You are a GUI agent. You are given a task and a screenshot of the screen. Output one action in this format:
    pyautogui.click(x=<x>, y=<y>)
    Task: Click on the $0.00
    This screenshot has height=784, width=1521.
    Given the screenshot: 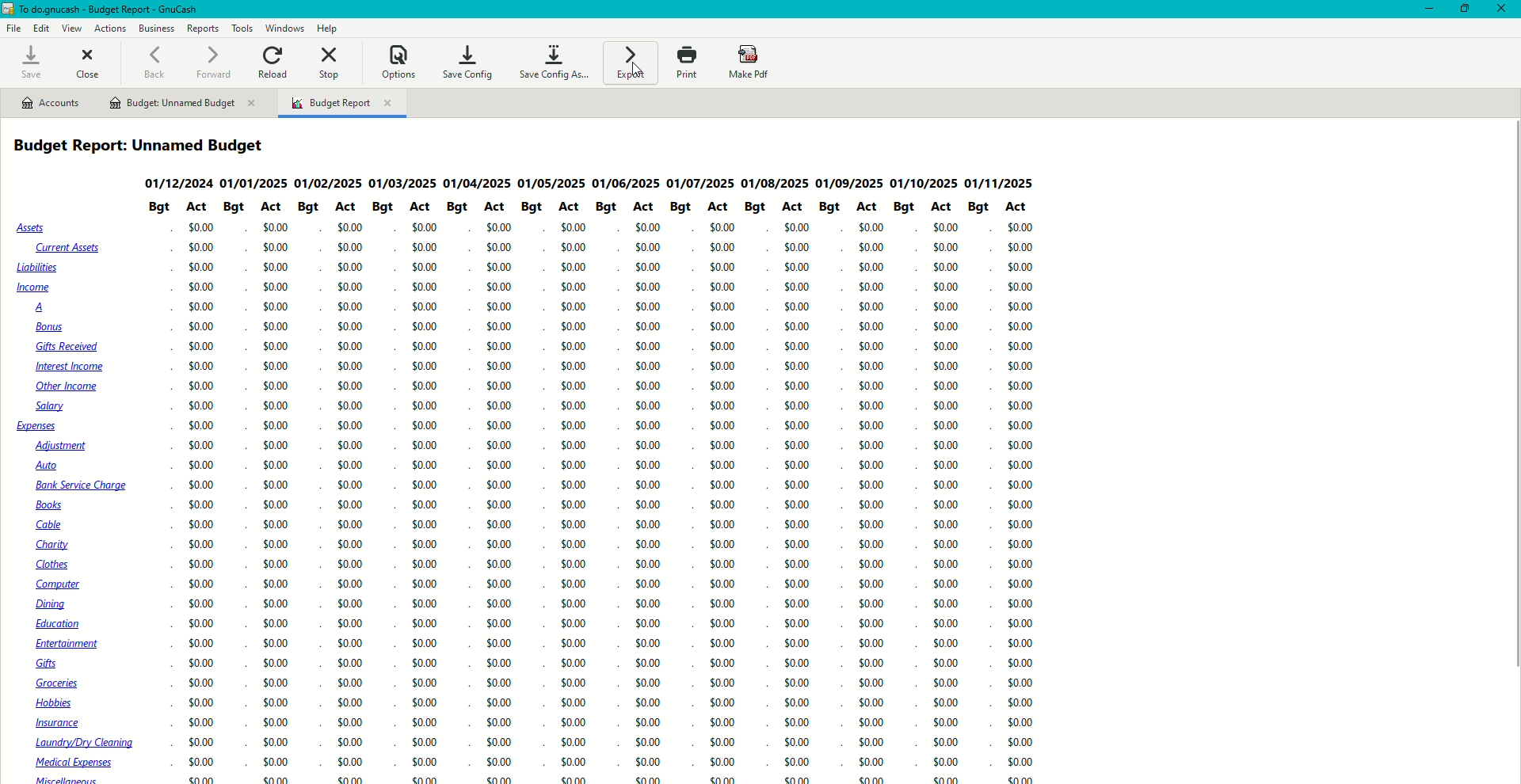 What is the action you would take?
    pyautogui.click(x=575, y=705)
    